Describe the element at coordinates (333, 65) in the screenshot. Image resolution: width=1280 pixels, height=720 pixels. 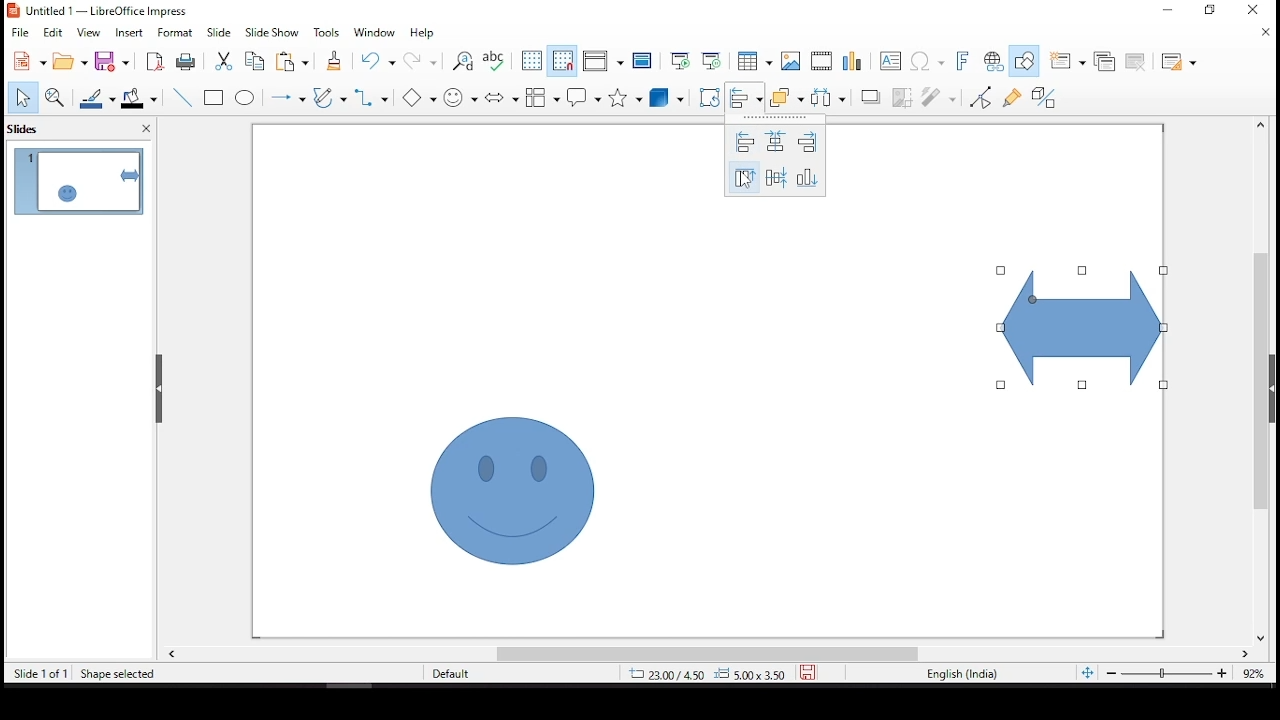
I see `clone formatting` at that location.